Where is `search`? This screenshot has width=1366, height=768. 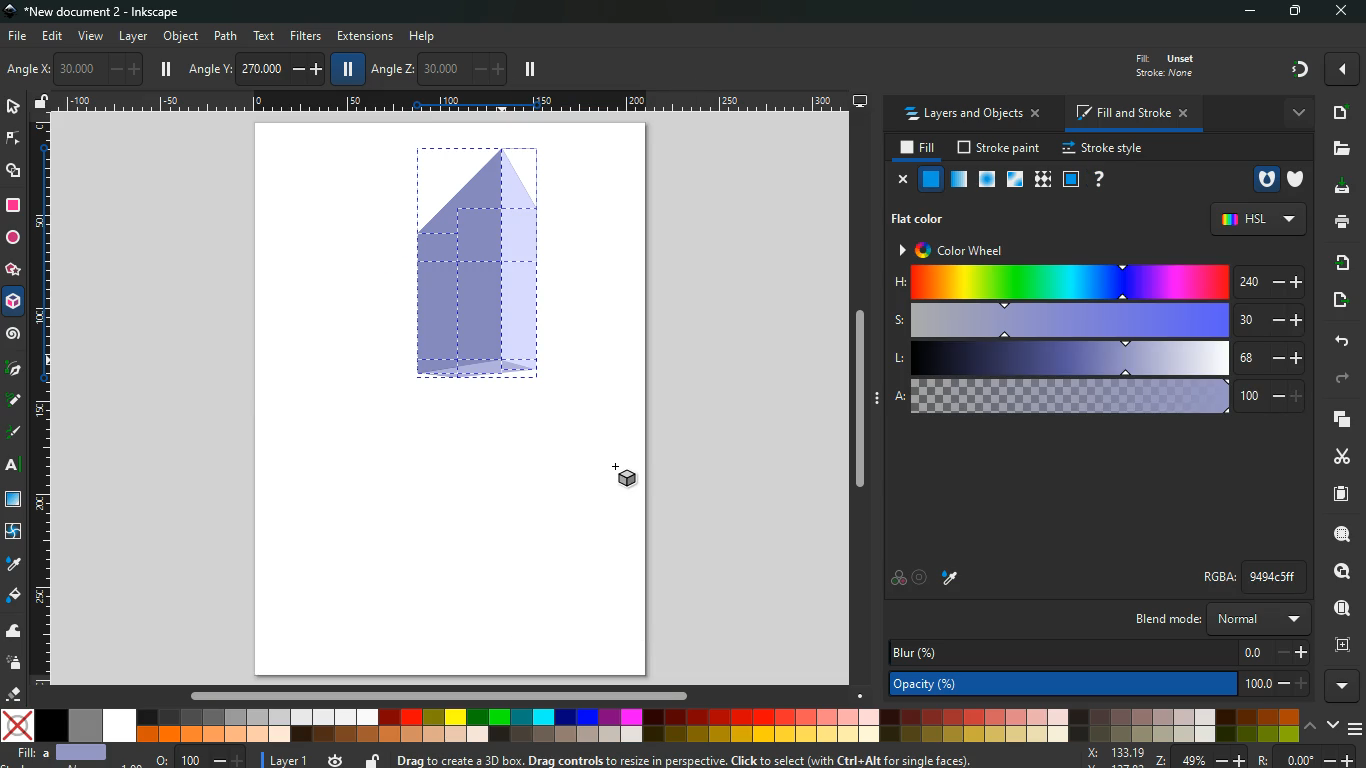 search is located at coordinates (1340, 534).